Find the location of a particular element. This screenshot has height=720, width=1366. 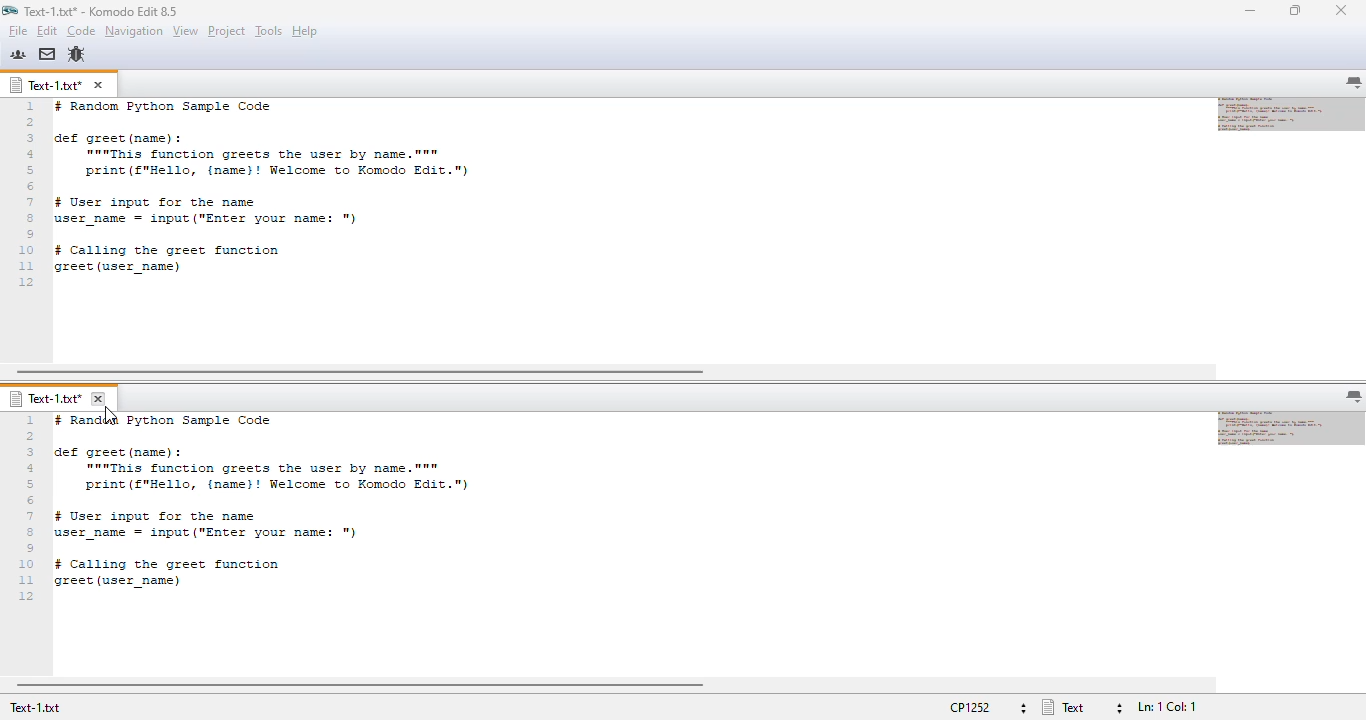

horizontal scroll bar is located at coordinates (360, 685).